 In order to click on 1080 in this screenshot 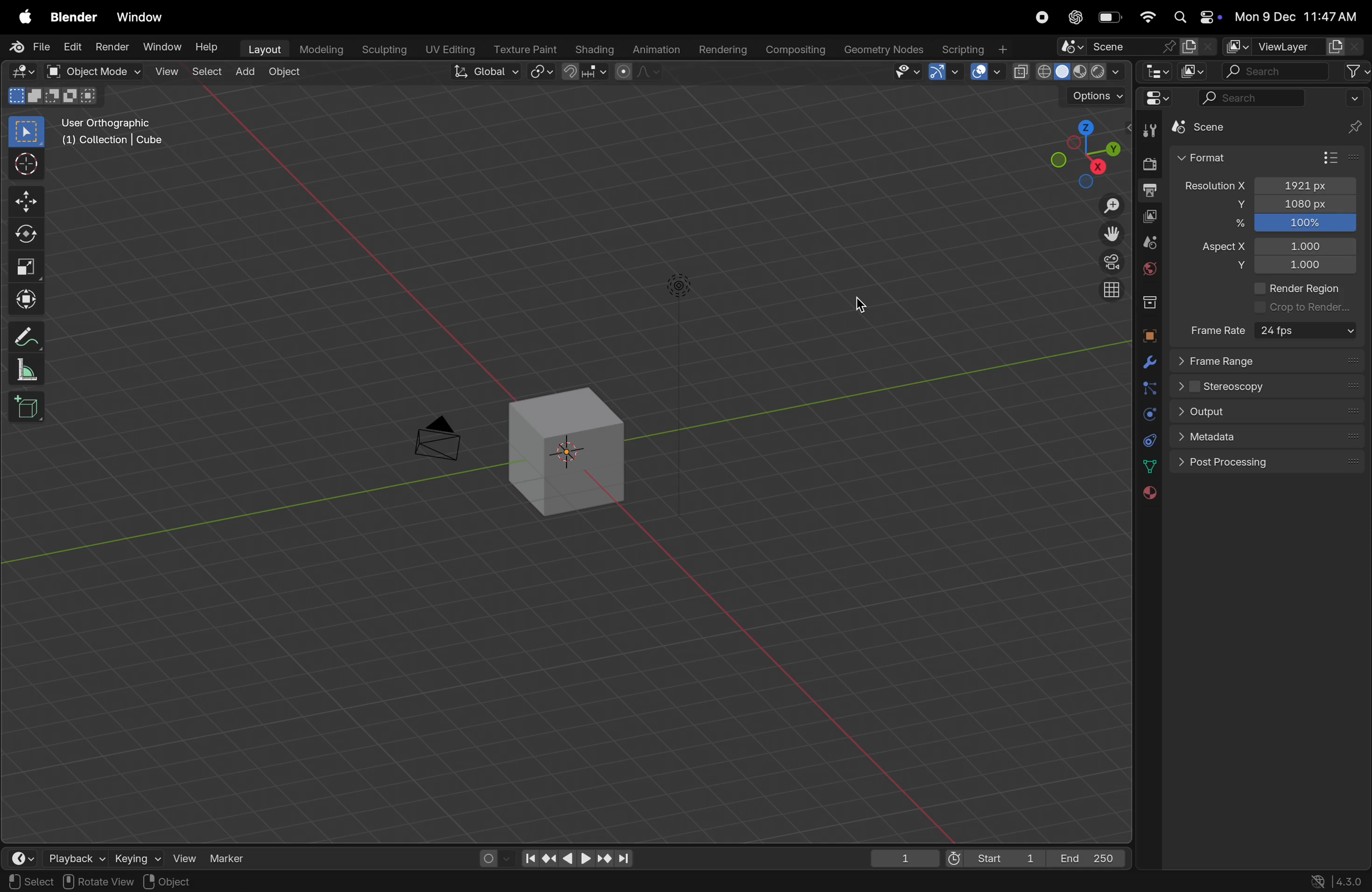, I will do `click(1304, 205)`.